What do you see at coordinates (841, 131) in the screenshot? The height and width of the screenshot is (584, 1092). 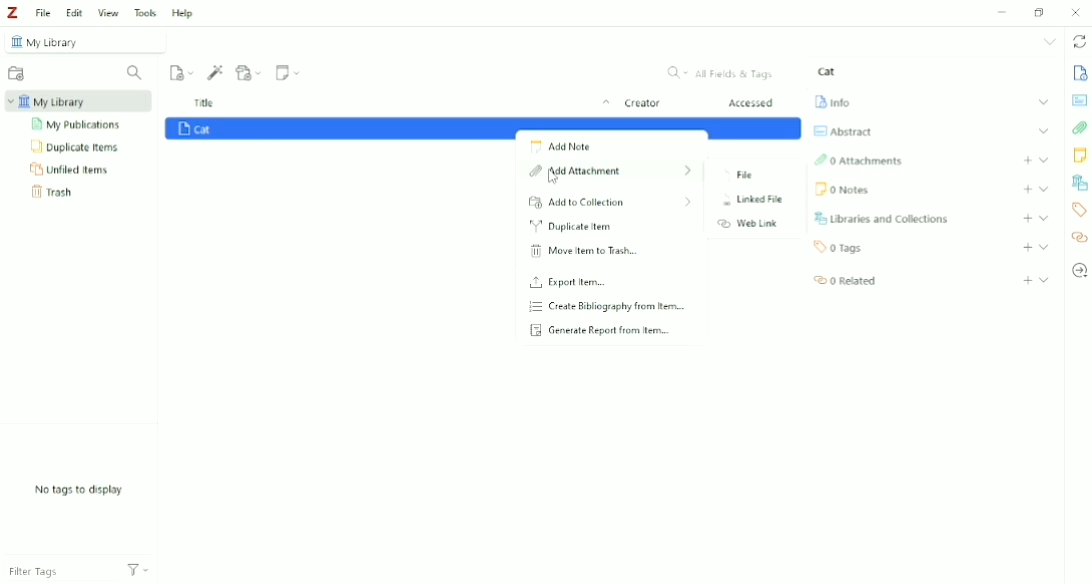 I see `Abstract` at bounding box center [841, 131].